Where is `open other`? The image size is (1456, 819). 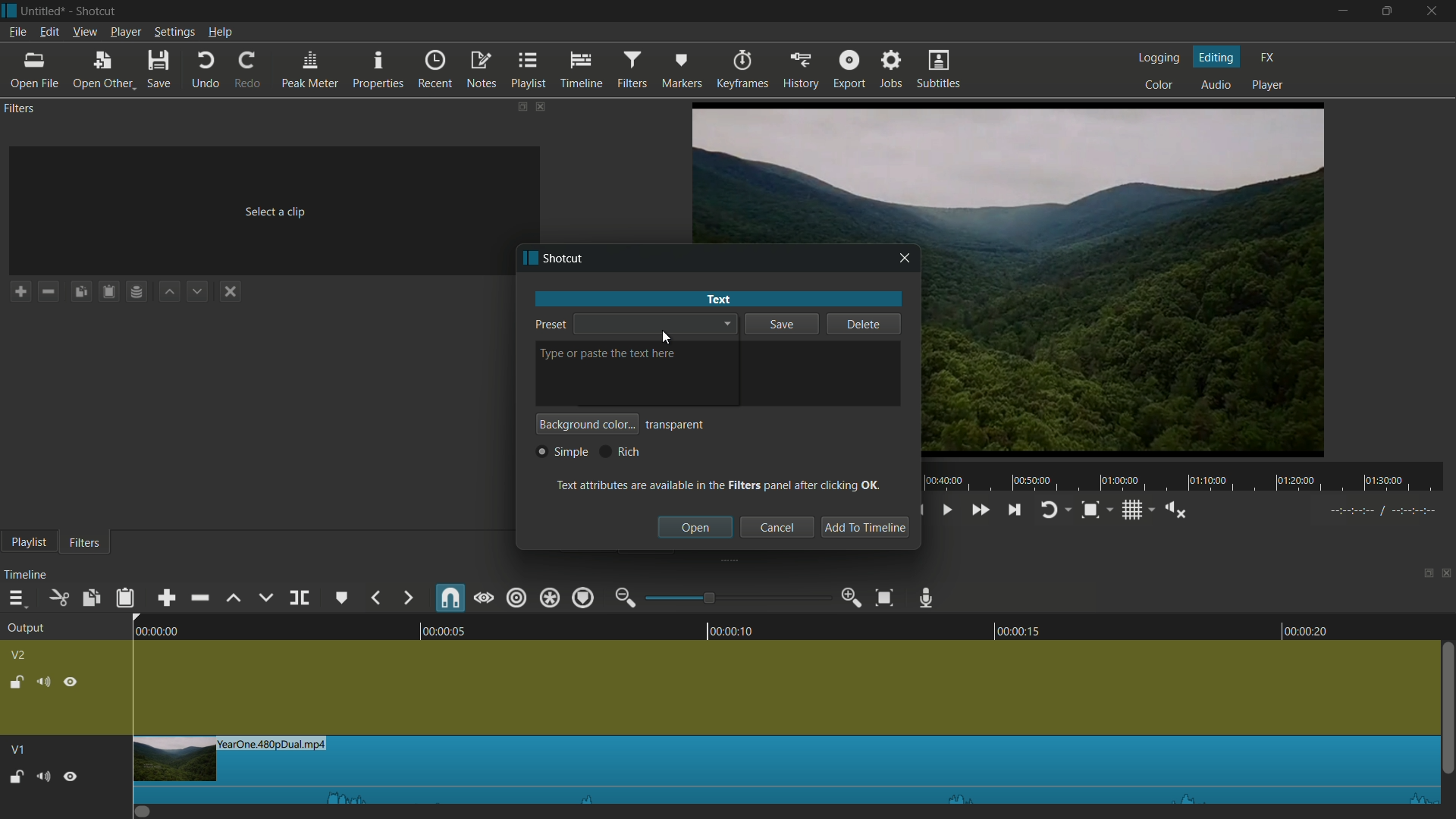 open other is located at coordinates (104, 71).